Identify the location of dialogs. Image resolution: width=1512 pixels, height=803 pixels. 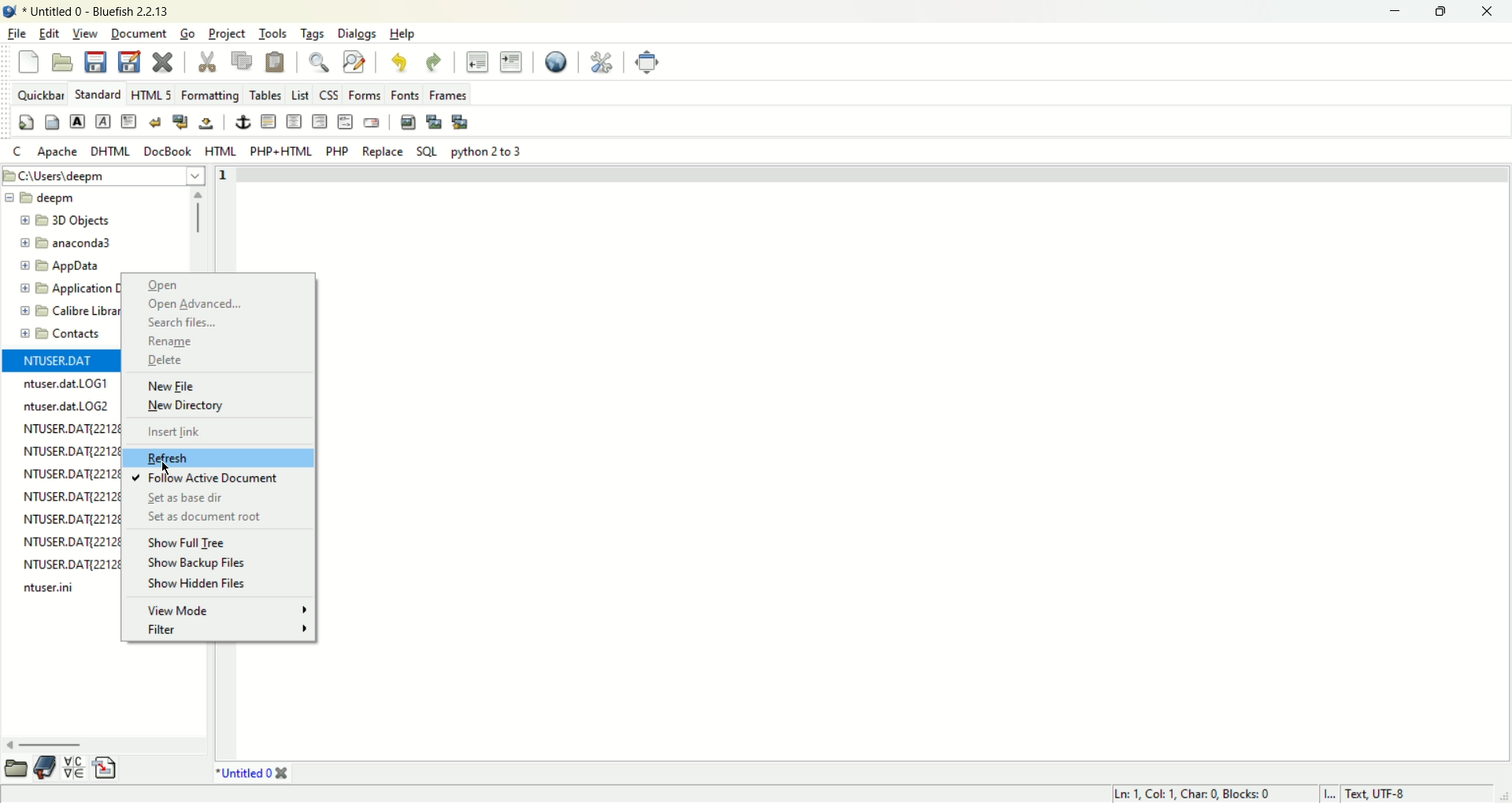
(356, 34).